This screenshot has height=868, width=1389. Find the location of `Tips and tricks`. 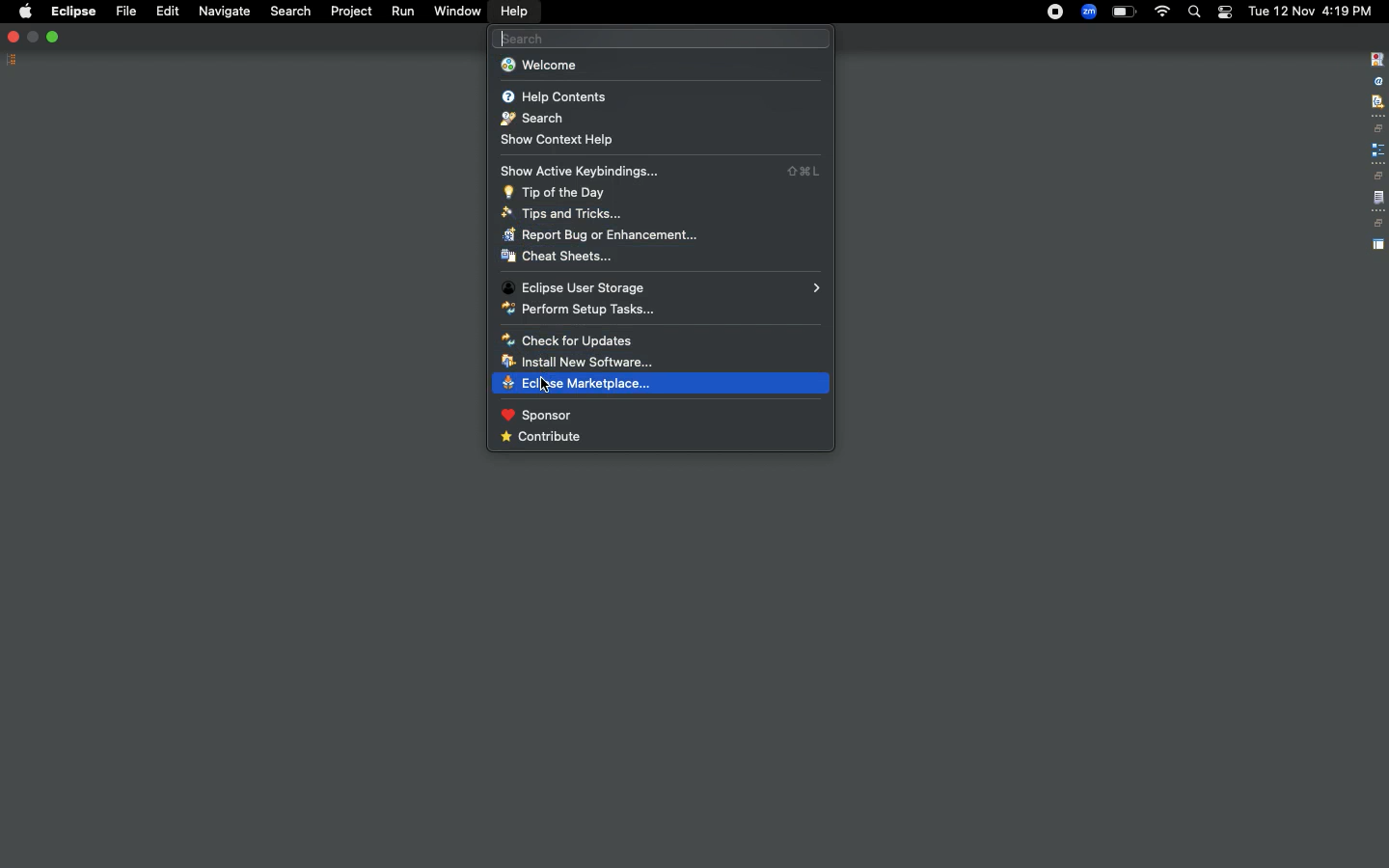

Tips and tricks is located at coordinates (560, 214).